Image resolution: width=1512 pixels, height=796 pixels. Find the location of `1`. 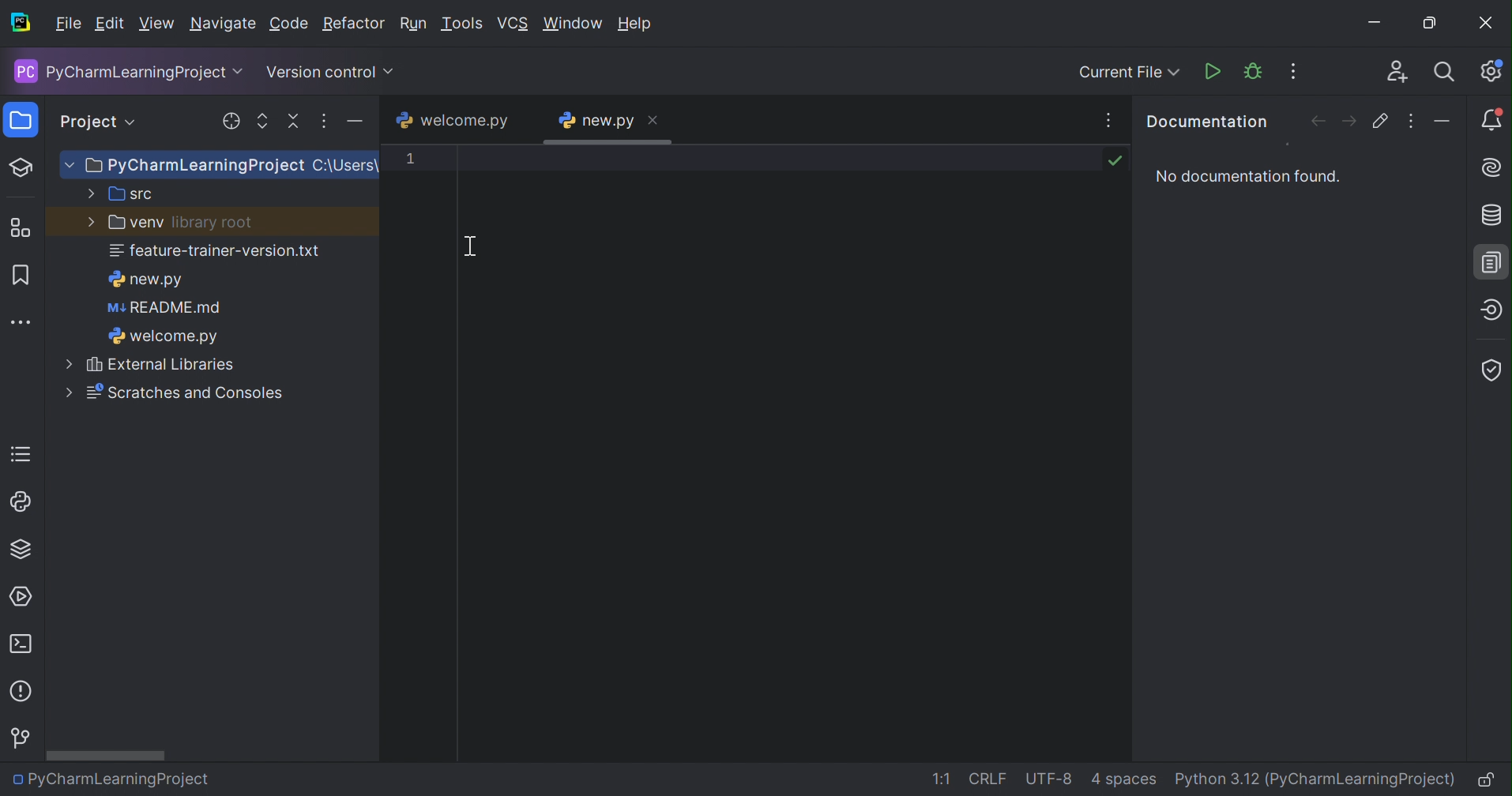

1 is located at coordinates (410, 157).